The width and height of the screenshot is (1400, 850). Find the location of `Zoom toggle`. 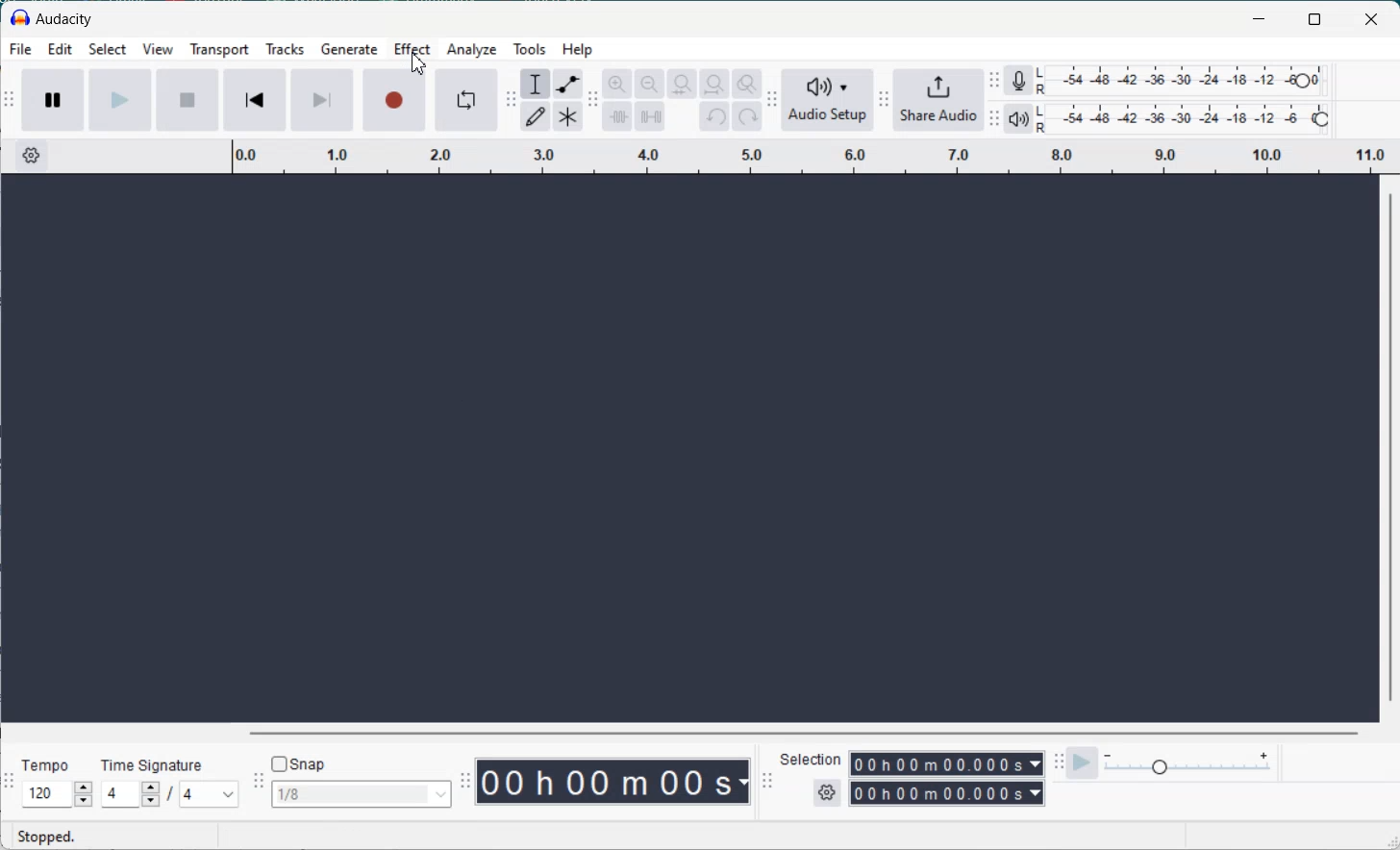

Zoom toggle is located at coordinates (748, 84).